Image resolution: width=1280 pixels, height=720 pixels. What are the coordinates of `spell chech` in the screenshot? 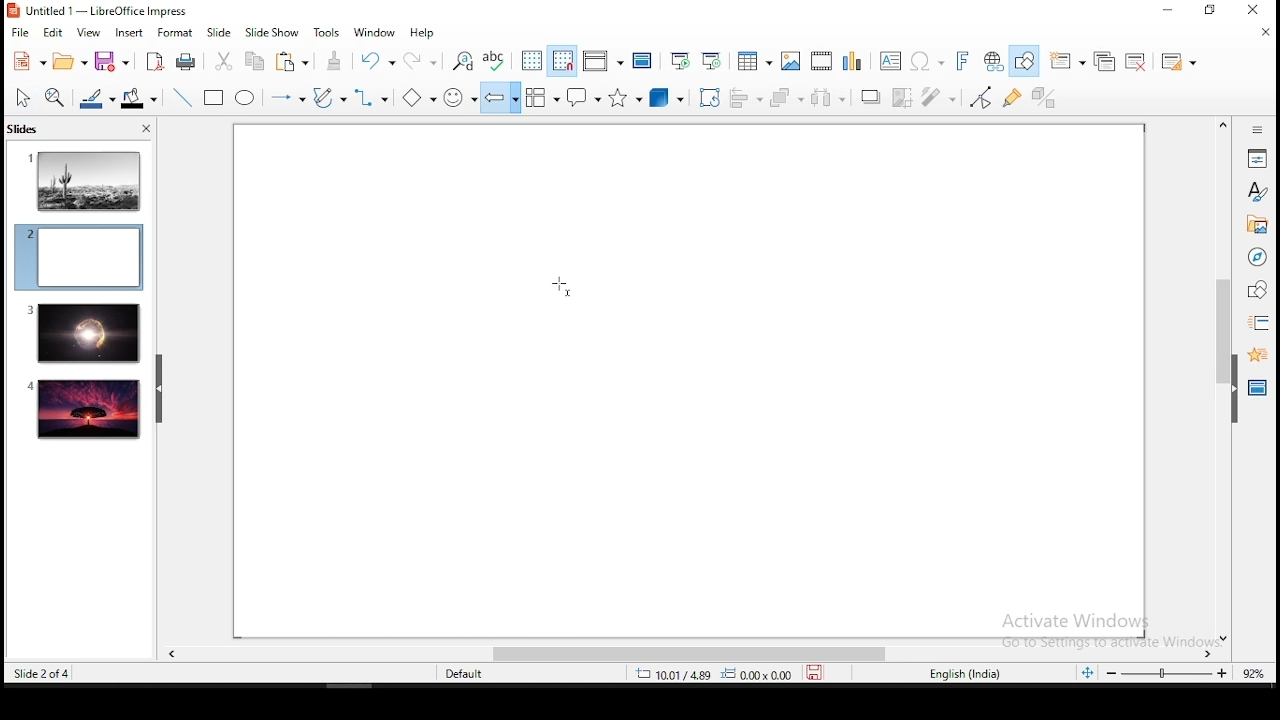 It's located at (495, 59).